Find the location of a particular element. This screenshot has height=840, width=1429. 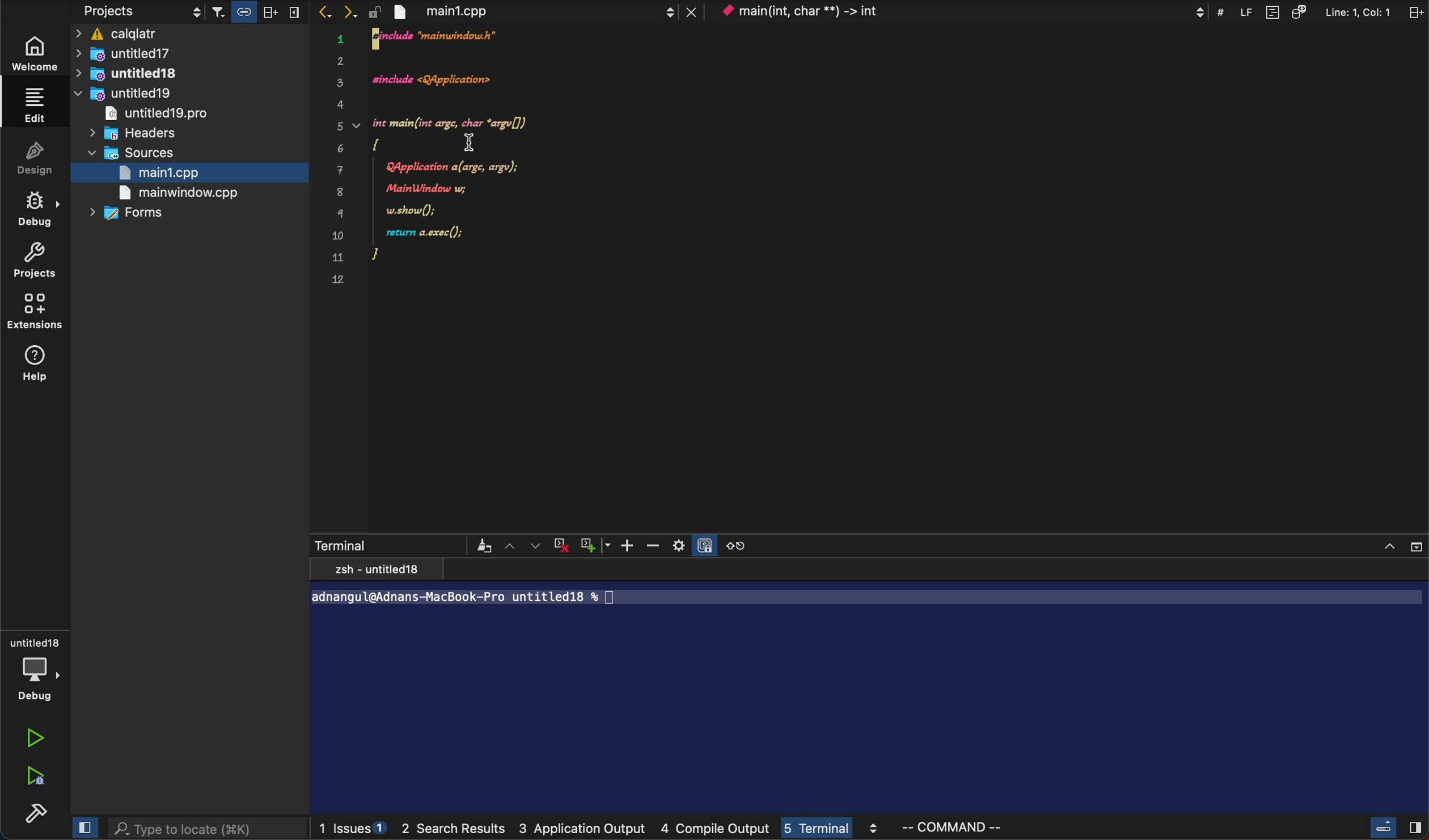

edit is located at coordinates (37, 103).